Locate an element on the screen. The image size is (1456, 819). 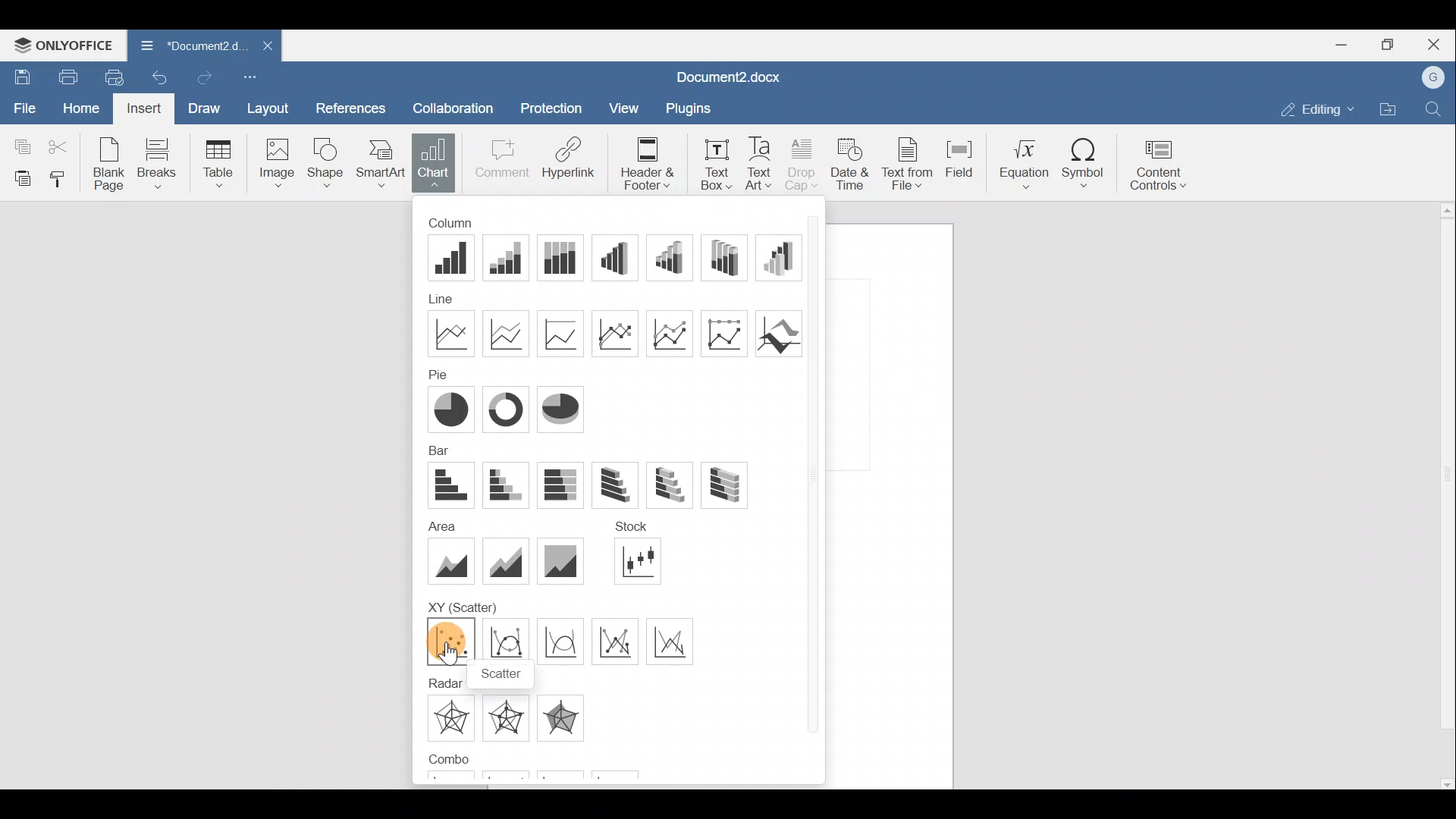
References is located at coordinates (352, 104).